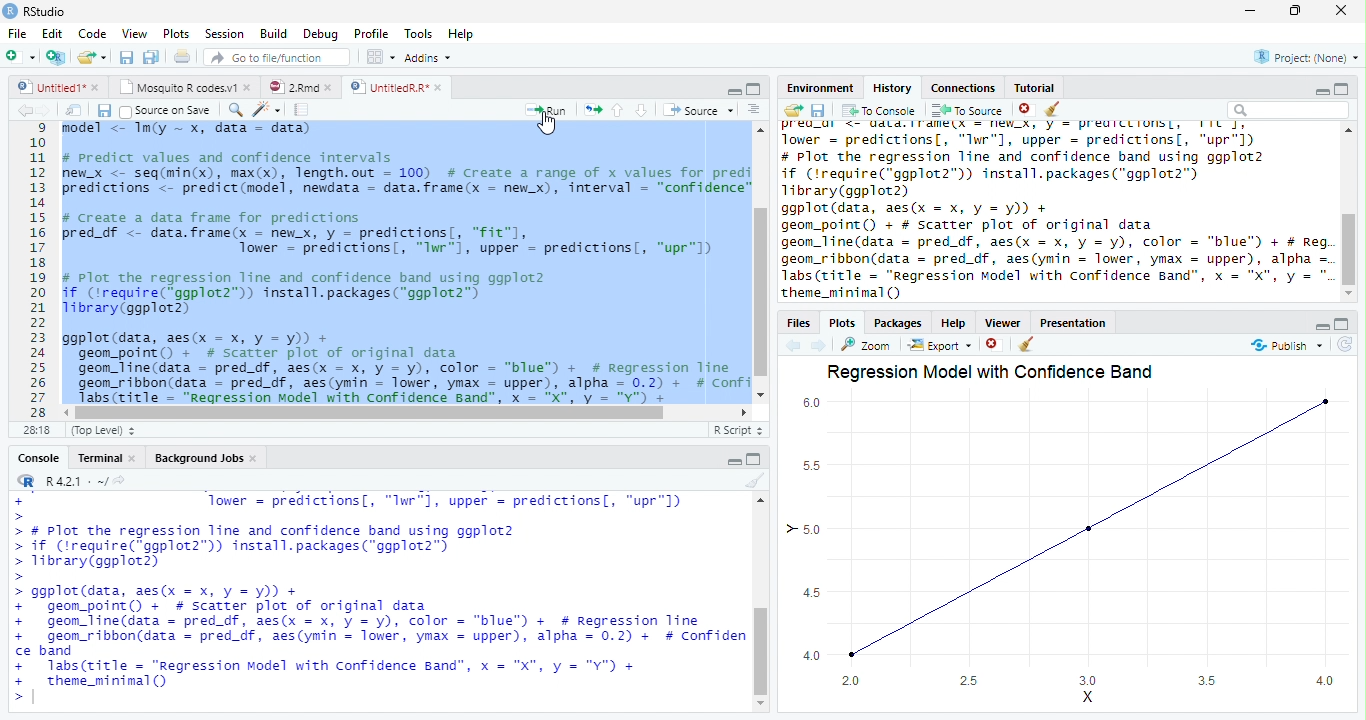  I want to click on Build, so click(274, 34).